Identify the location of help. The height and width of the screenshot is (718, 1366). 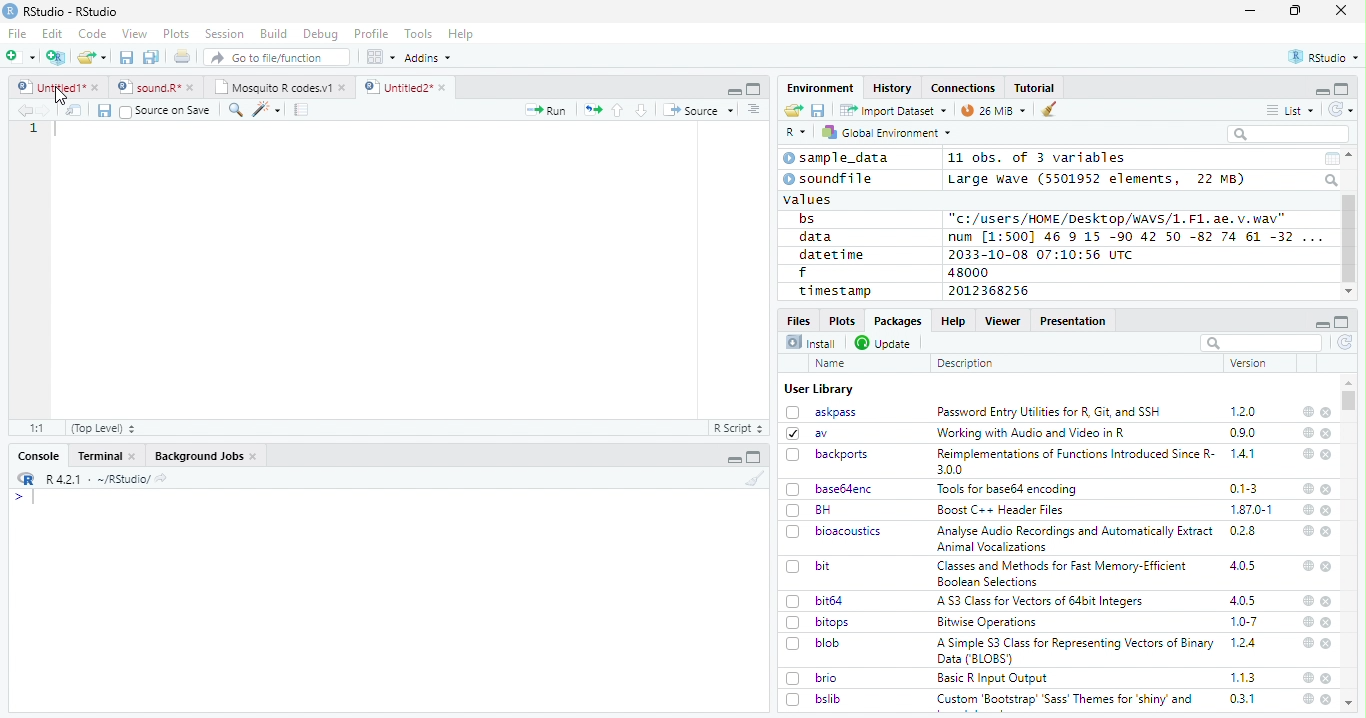
(1307, 600).